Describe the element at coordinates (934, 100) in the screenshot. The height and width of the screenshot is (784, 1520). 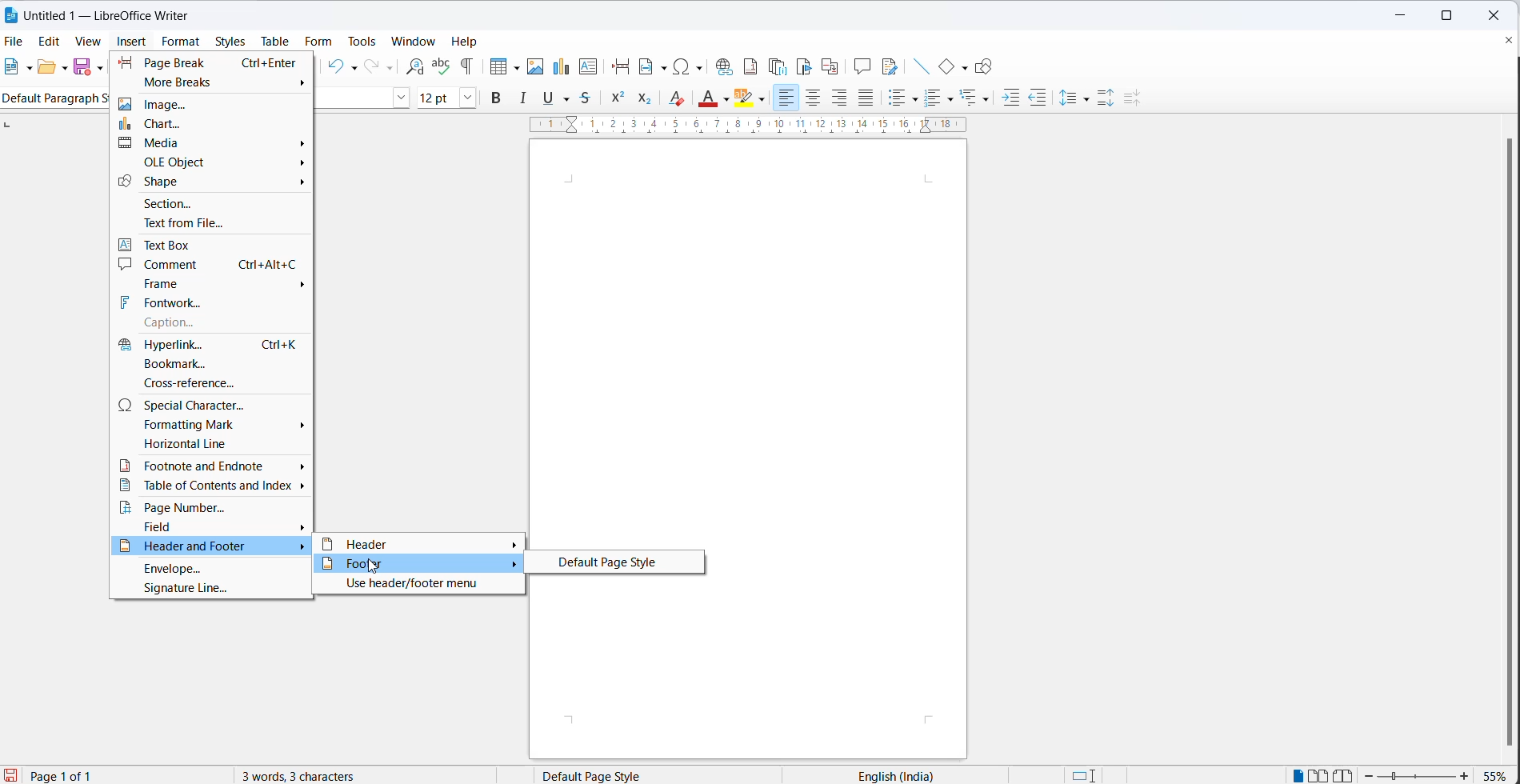
I see `toggle unordered list` at that location.